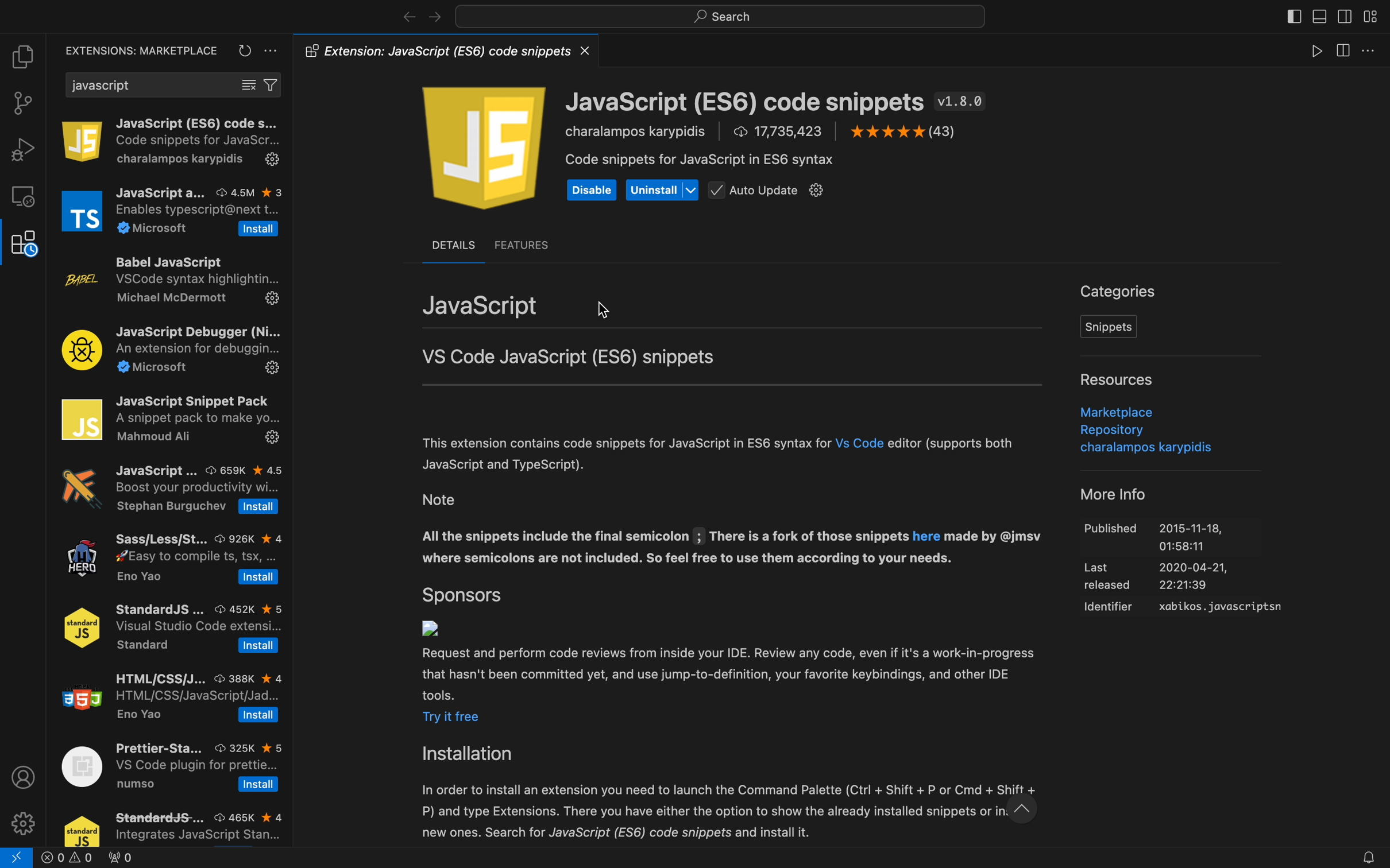 This screenshot has height=868, width=1390. I want to click on JavaScript Snippet Pack
A snippet pack to make yo...
Mahmoud Ali ie, so click(167, 420).